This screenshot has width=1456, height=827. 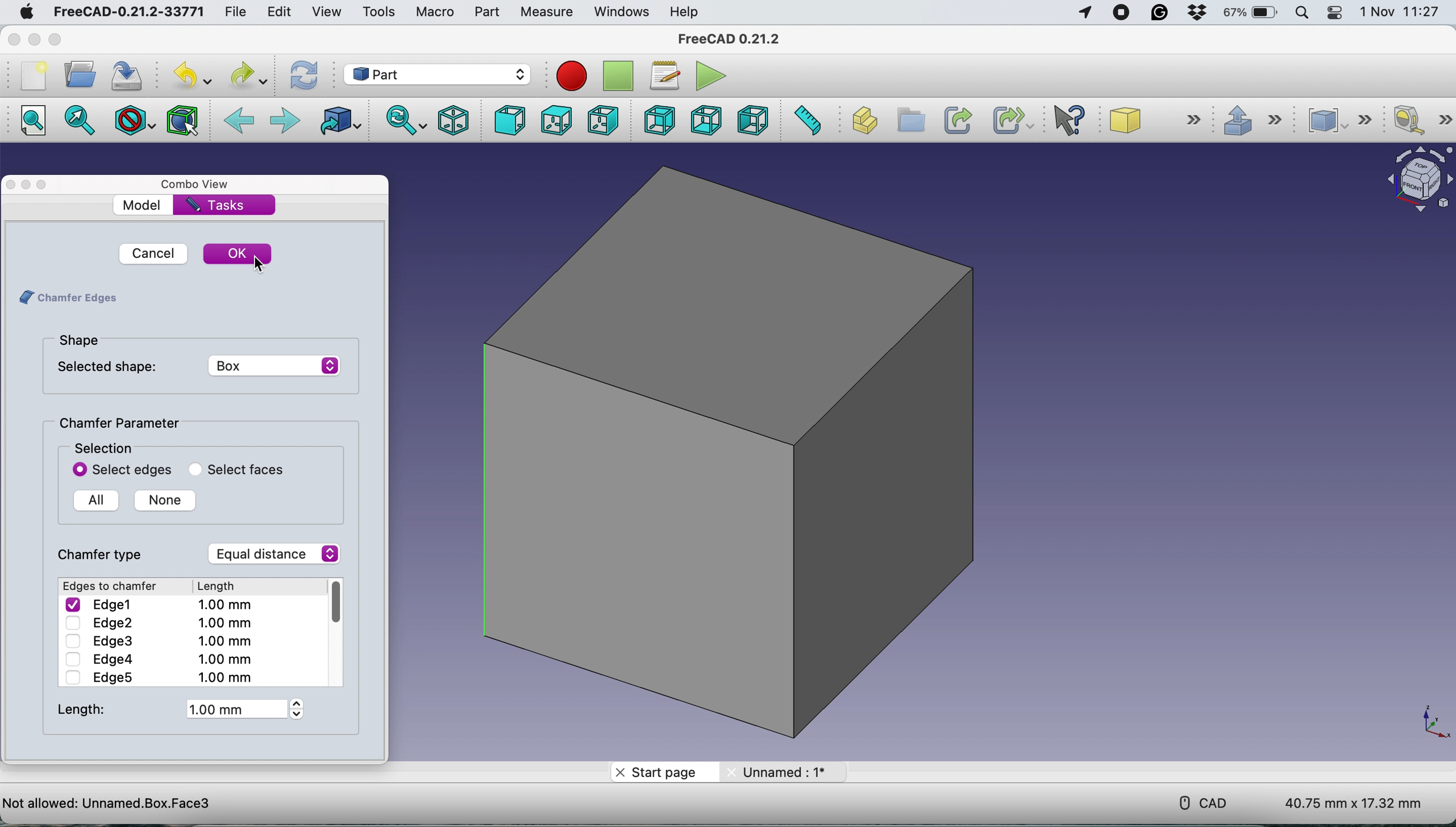 What do you see at coordinates (614, 76) in the screenshot?
I see `stop recording macros` at bounding box center [614, 76].